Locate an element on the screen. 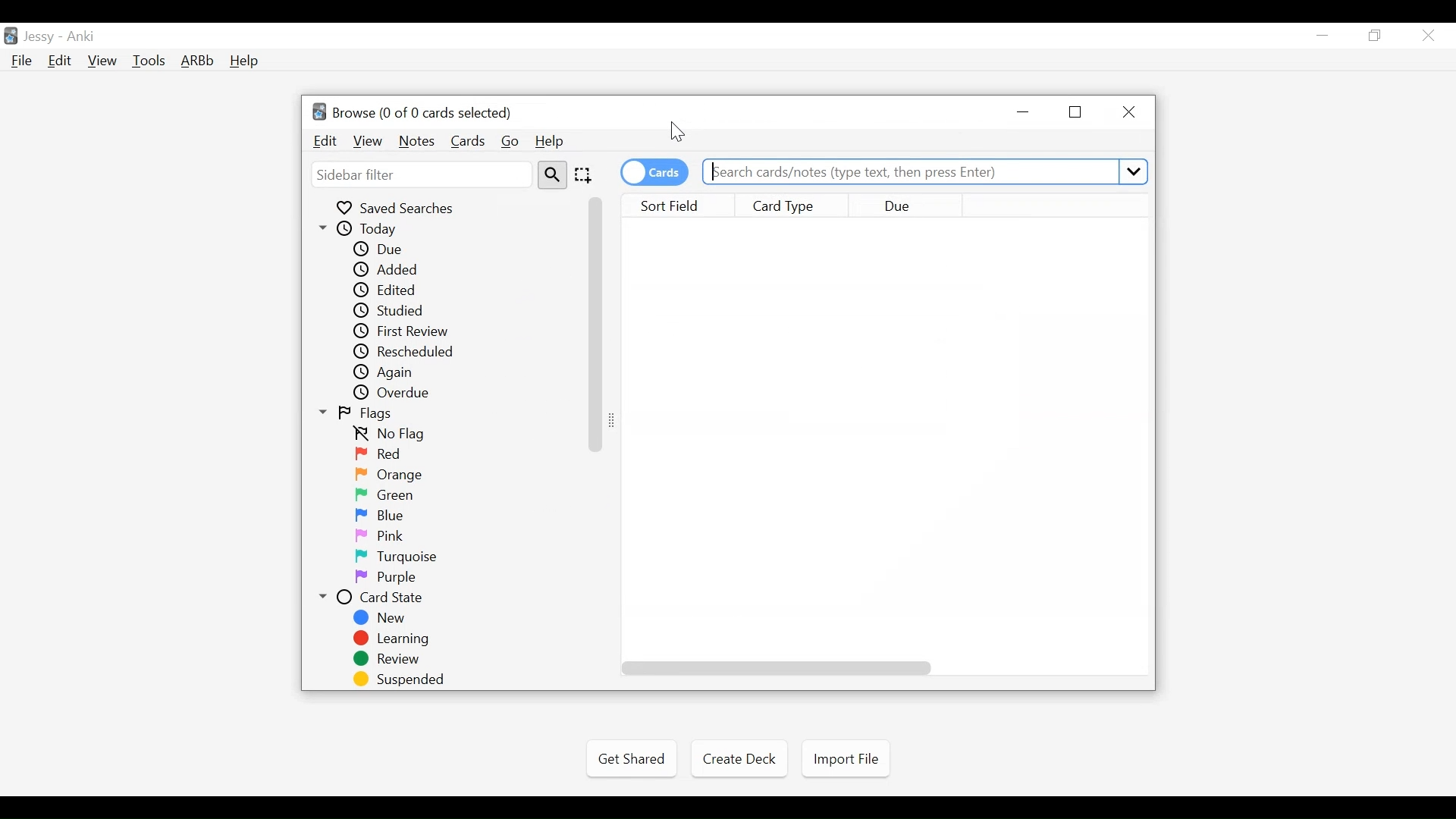 The image size is (1456, 819). Edit is located at coordinates (327, 142).